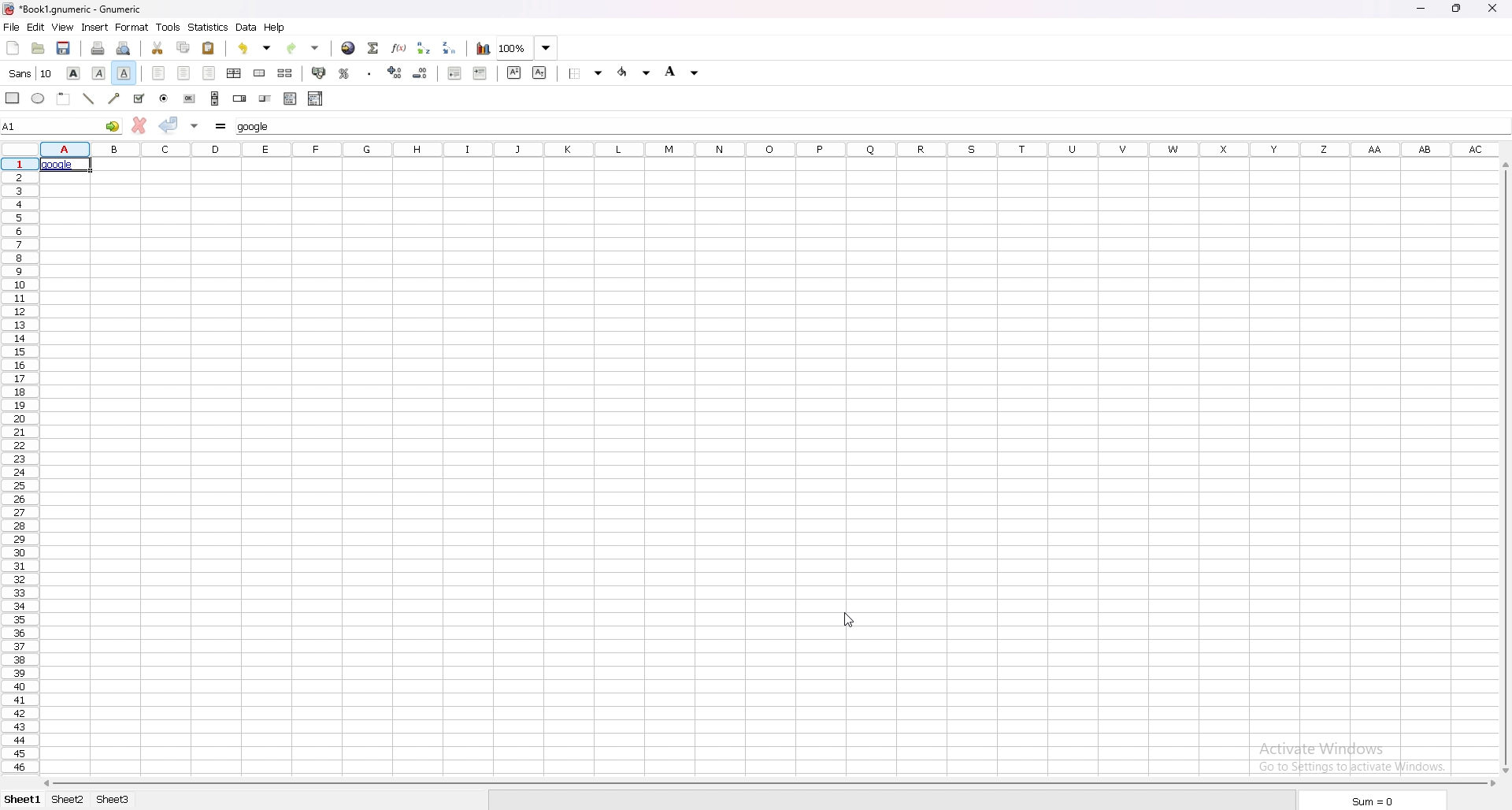  I want to click on function, so click(398, 48).